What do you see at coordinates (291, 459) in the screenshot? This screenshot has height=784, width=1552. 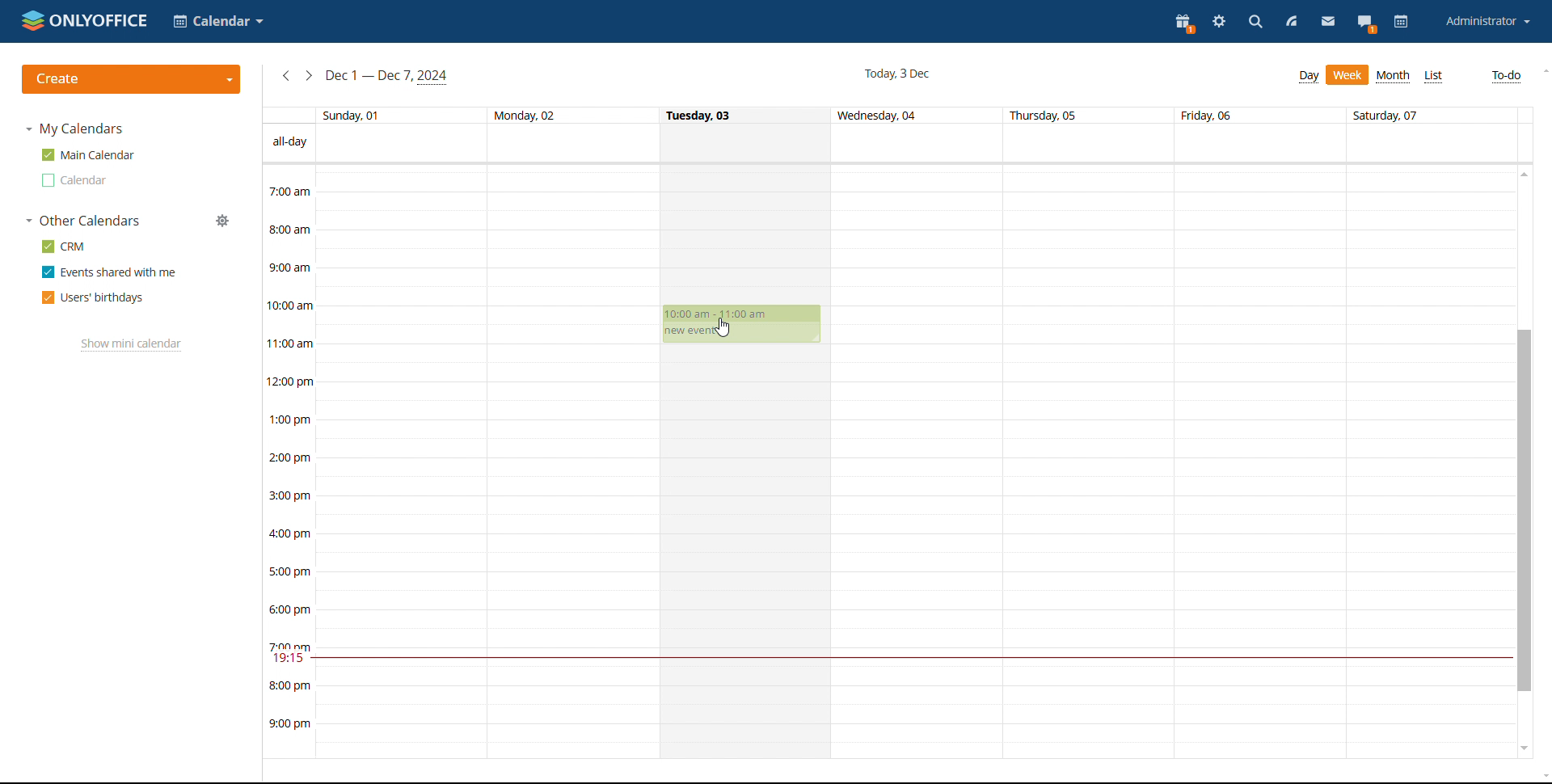 I see `2:00pm` at bounding box center [291, 459].